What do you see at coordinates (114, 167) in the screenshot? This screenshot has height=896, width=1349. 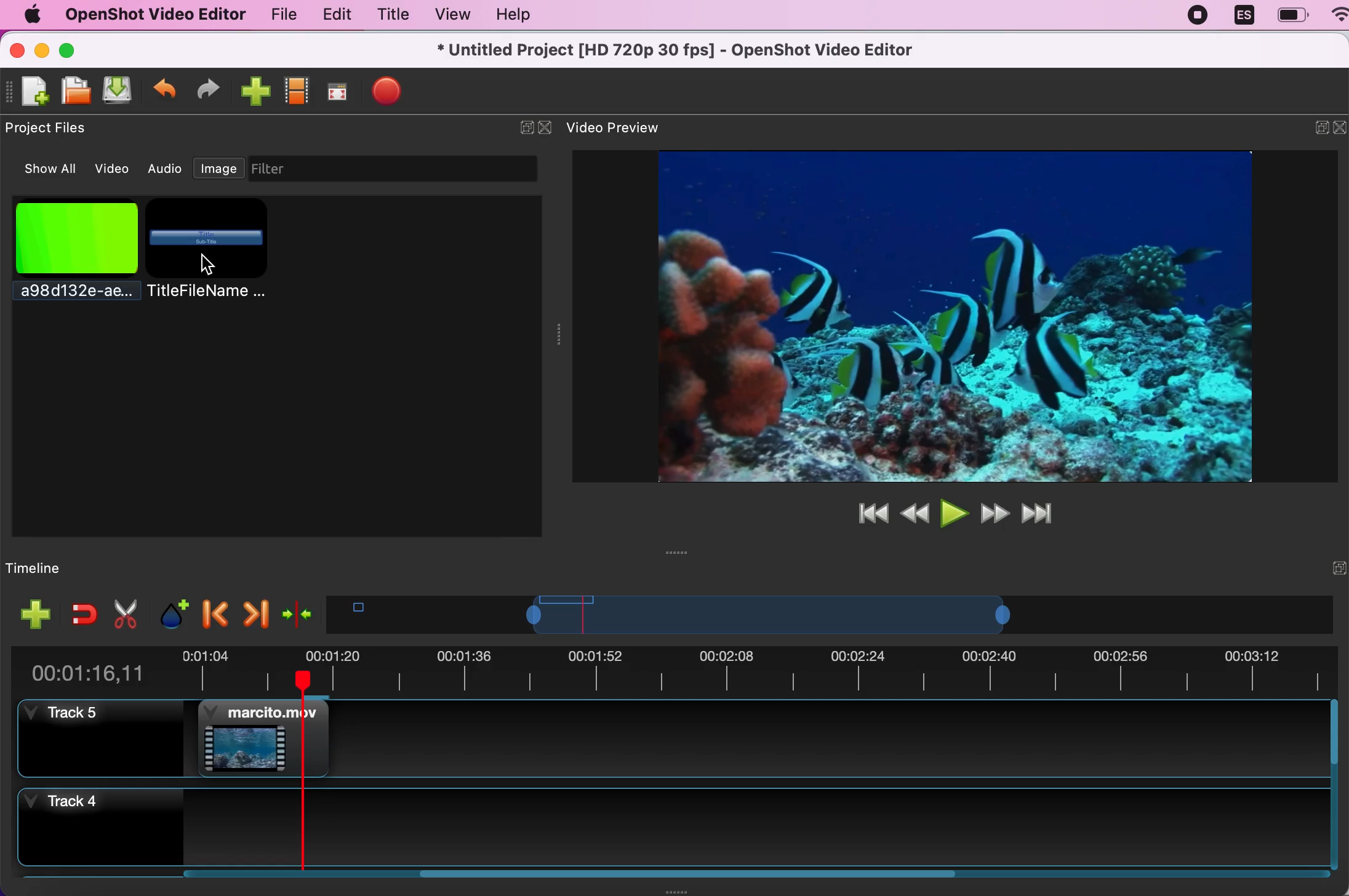 I see `video` at bounding box center [114, 167].